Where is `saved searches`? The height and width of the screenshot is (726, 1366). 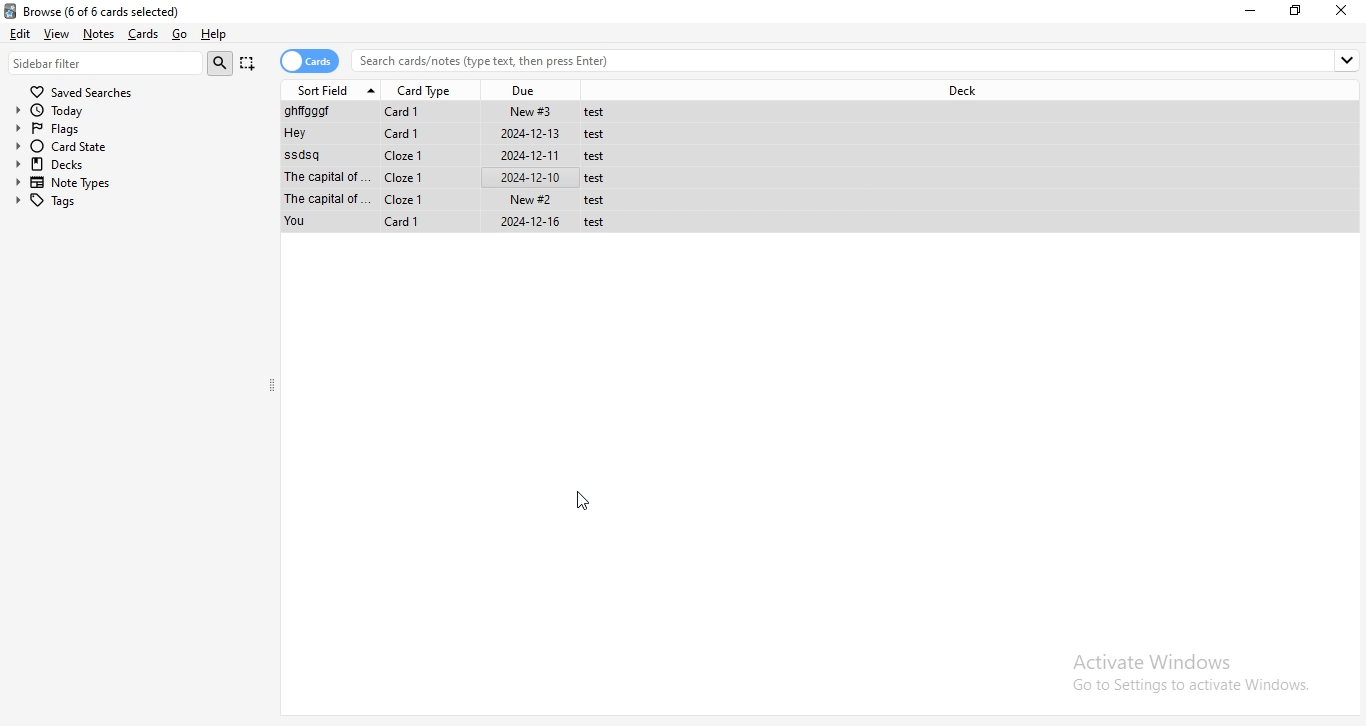 saved searches is located at coordinates (81, 91).